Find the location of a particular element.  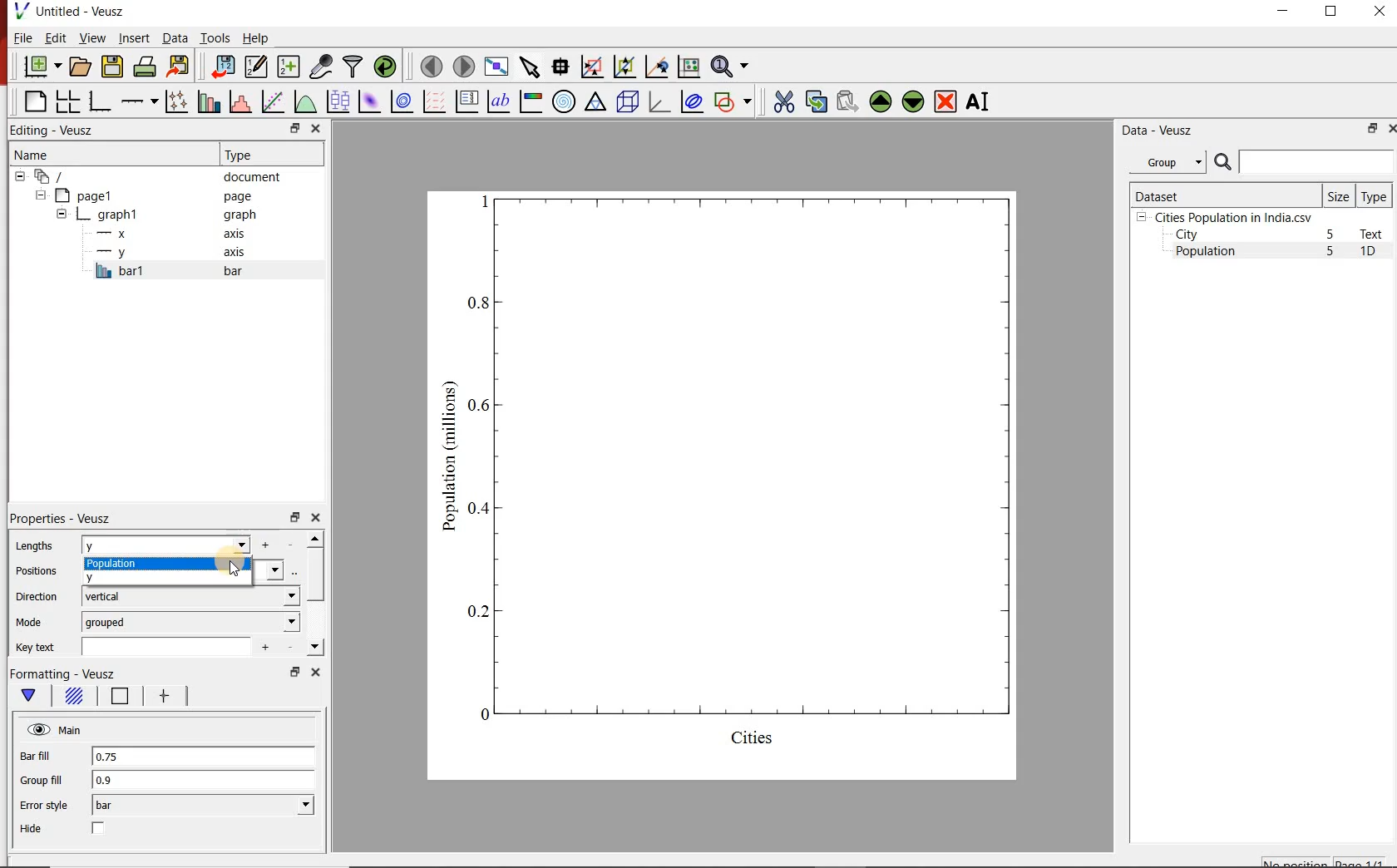

Fill is located at coordinates (73, 698).